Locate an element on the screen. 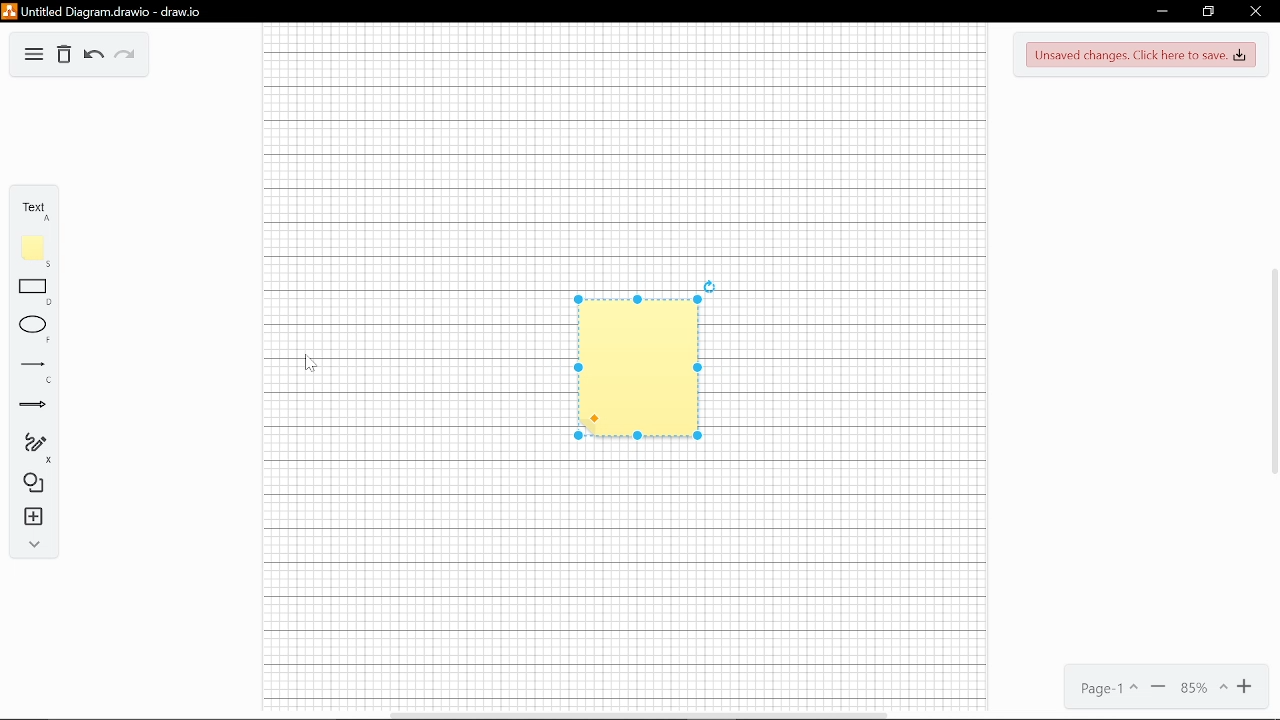 This screenshot has width=1280, height=720. Delete is located at coordinates (63, 55).